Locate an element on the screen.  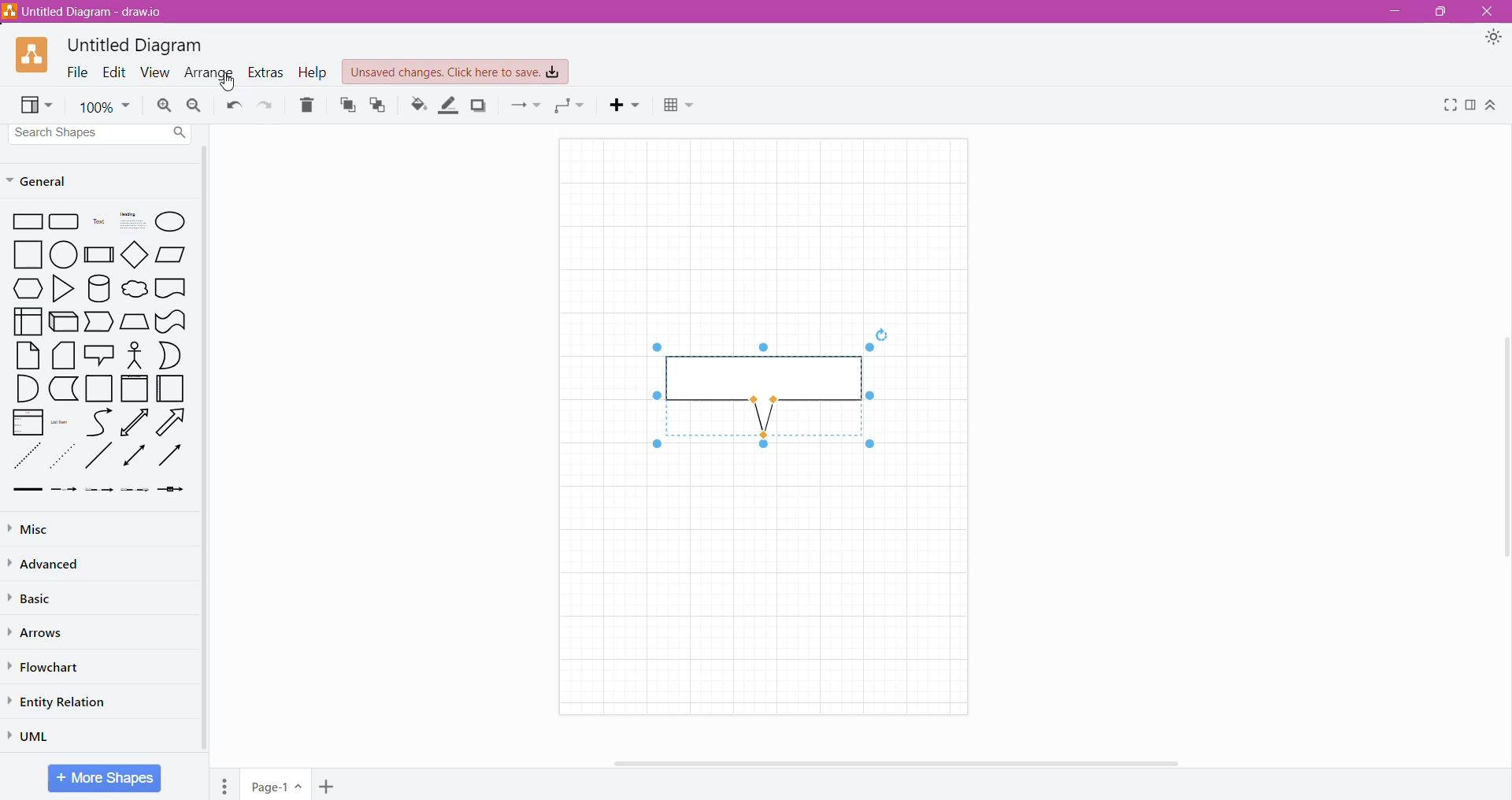
Undo is located at coordinates (234, 106).